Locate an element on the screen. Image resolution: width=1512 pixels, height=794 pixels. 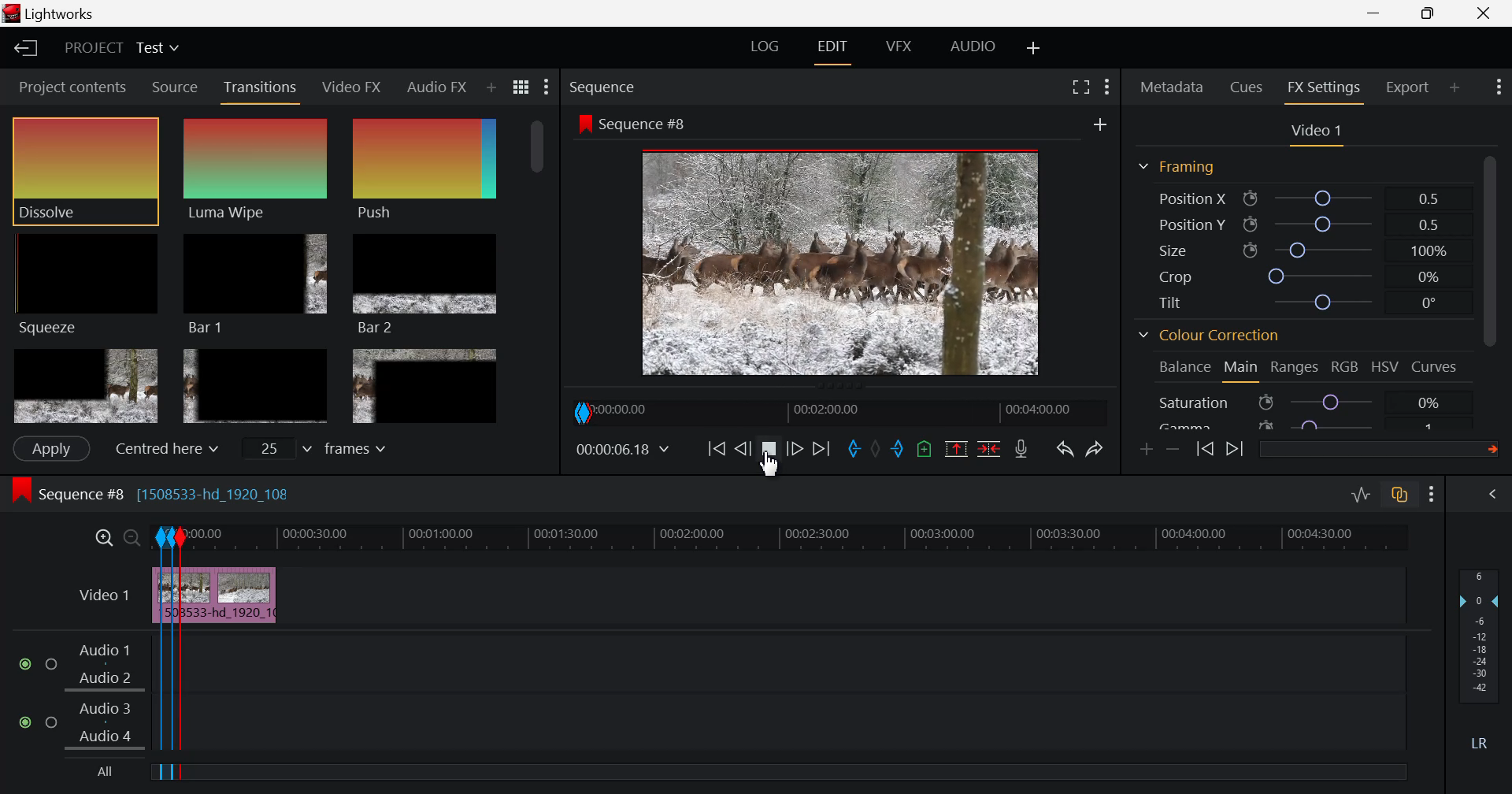
Size is located at coordinates (1309, 250).